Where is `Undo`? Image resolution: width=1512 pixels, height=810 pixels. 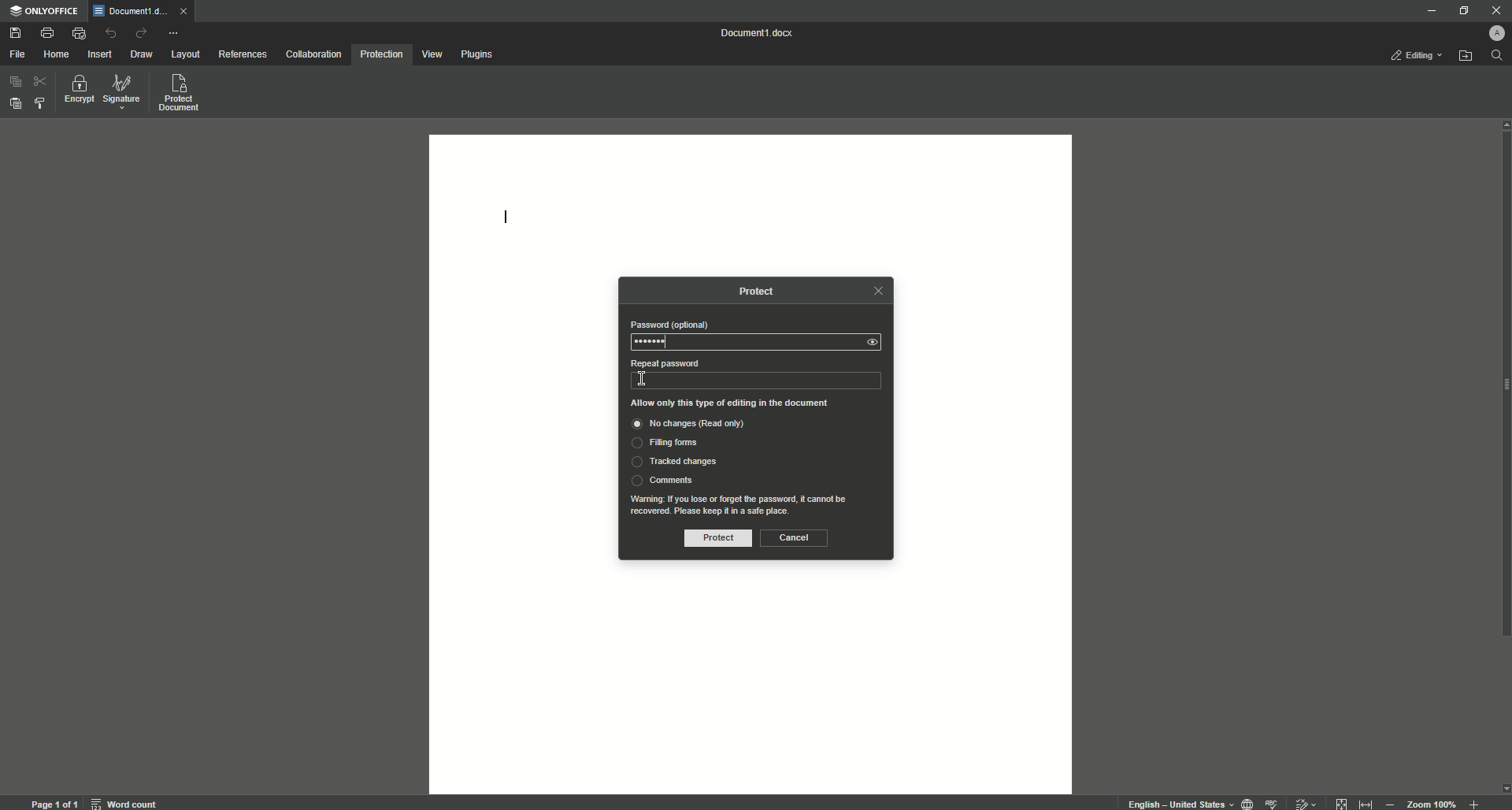
Undo is located at coordinates (111, 34).